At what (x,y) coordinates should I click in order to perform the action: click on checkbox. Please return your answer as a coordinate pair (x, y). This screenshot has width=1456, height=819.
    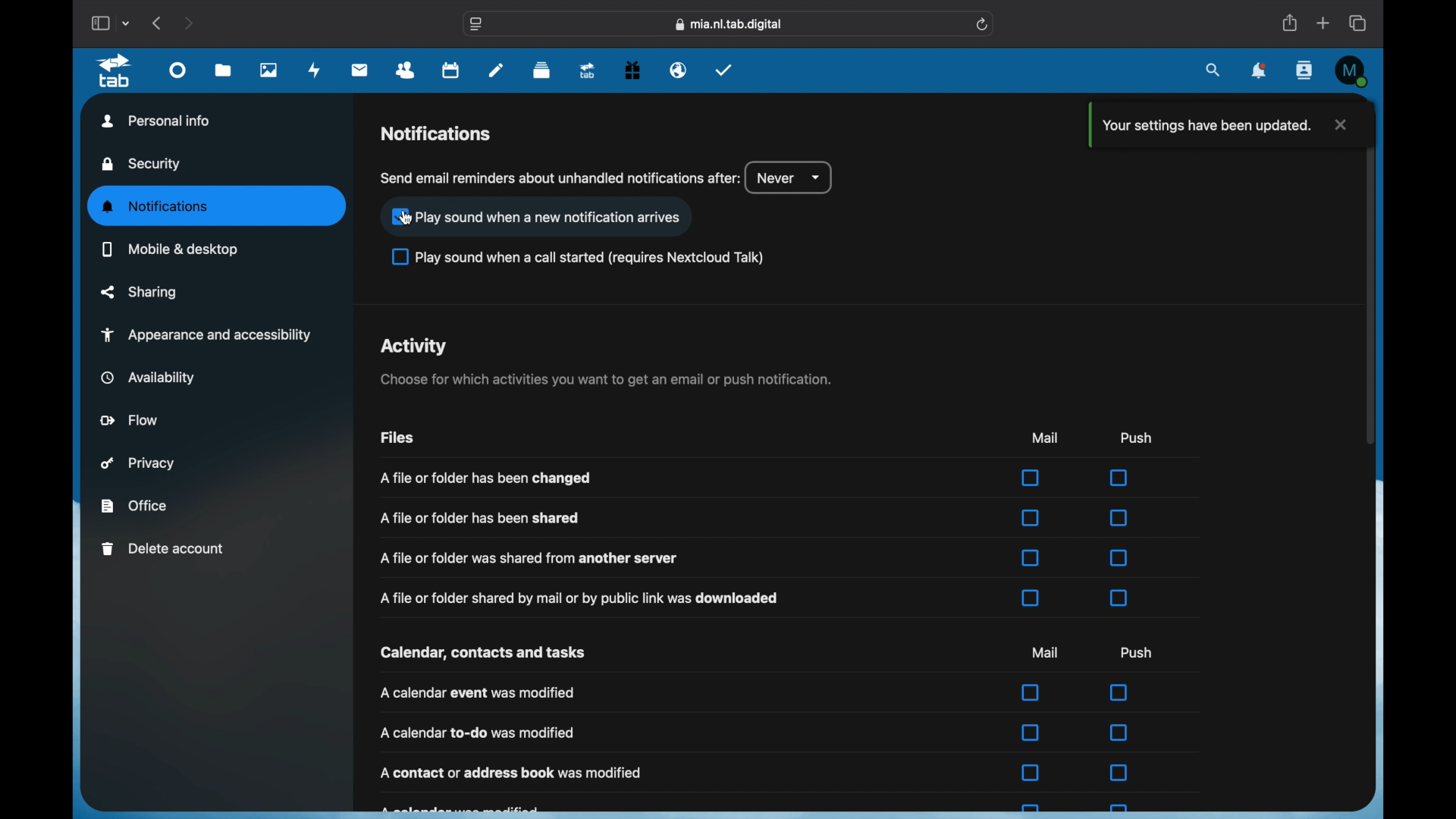
    Looking at the image, I should click on (1031, 598).